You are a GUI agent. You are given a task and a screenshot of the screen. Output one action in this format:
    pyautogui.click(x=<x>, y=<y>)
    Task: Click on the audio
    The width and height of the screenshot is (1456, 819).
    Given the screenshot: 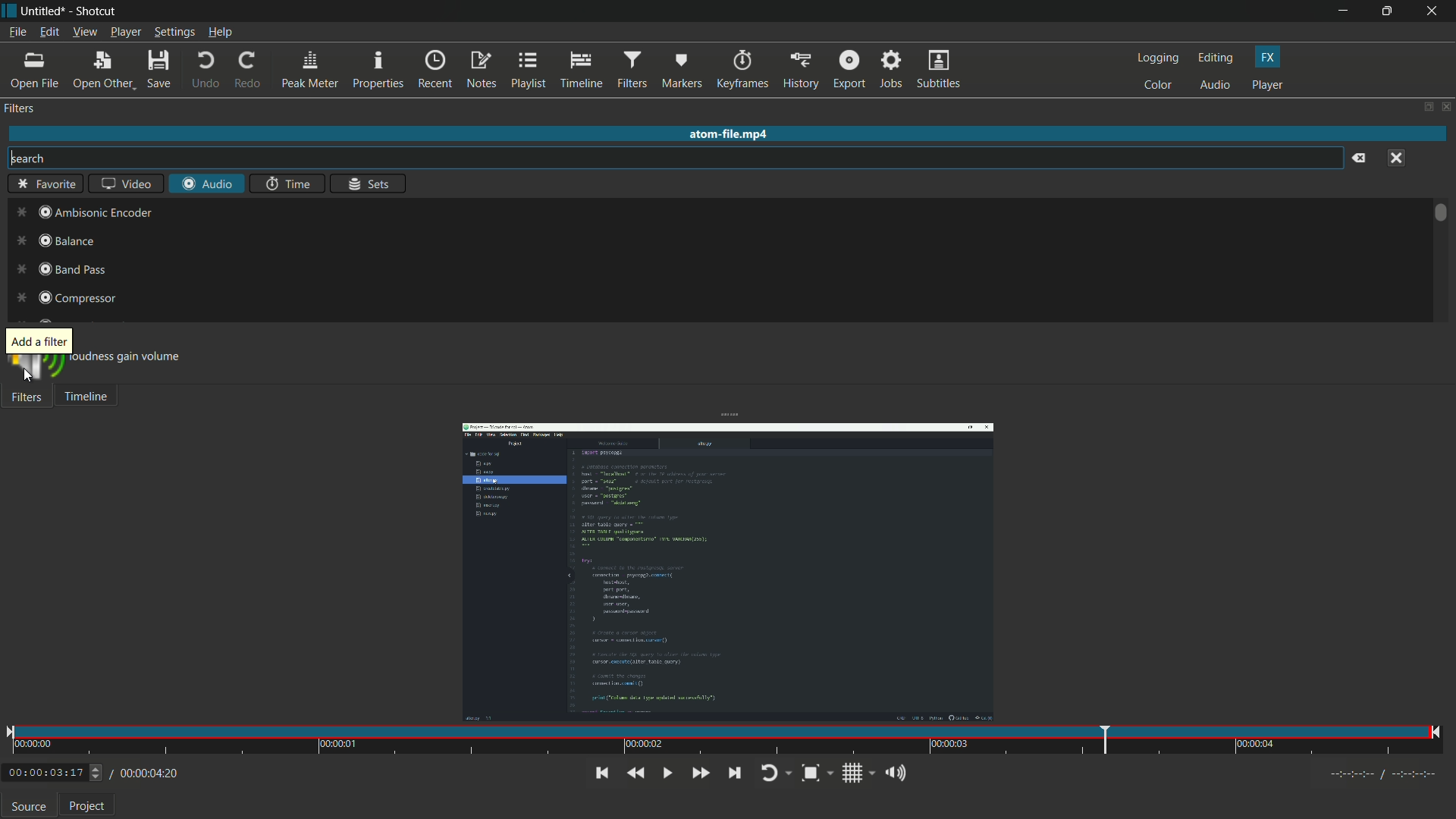 What is the action you would take?
    pyautogui.click(x=1216, y=86)
    